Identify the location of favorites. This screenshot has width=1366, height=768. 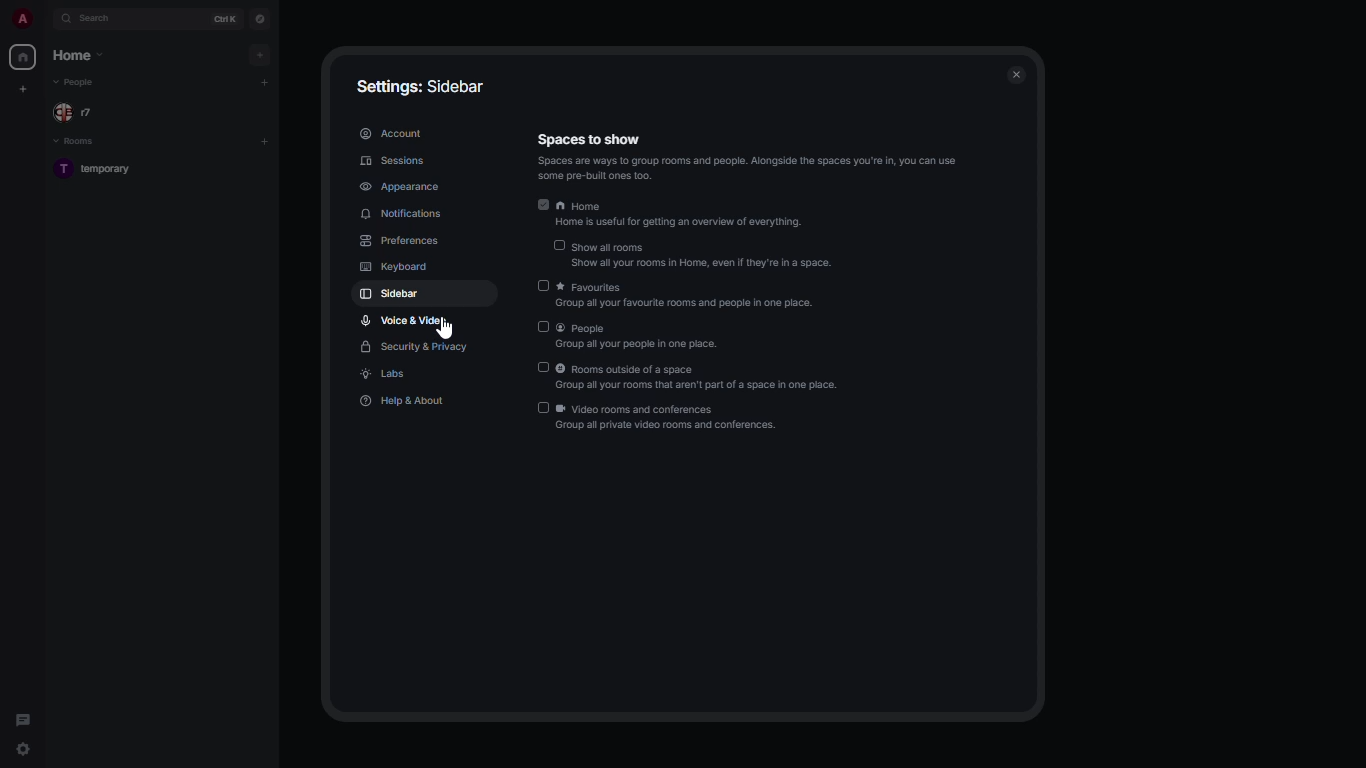
(654, 288).